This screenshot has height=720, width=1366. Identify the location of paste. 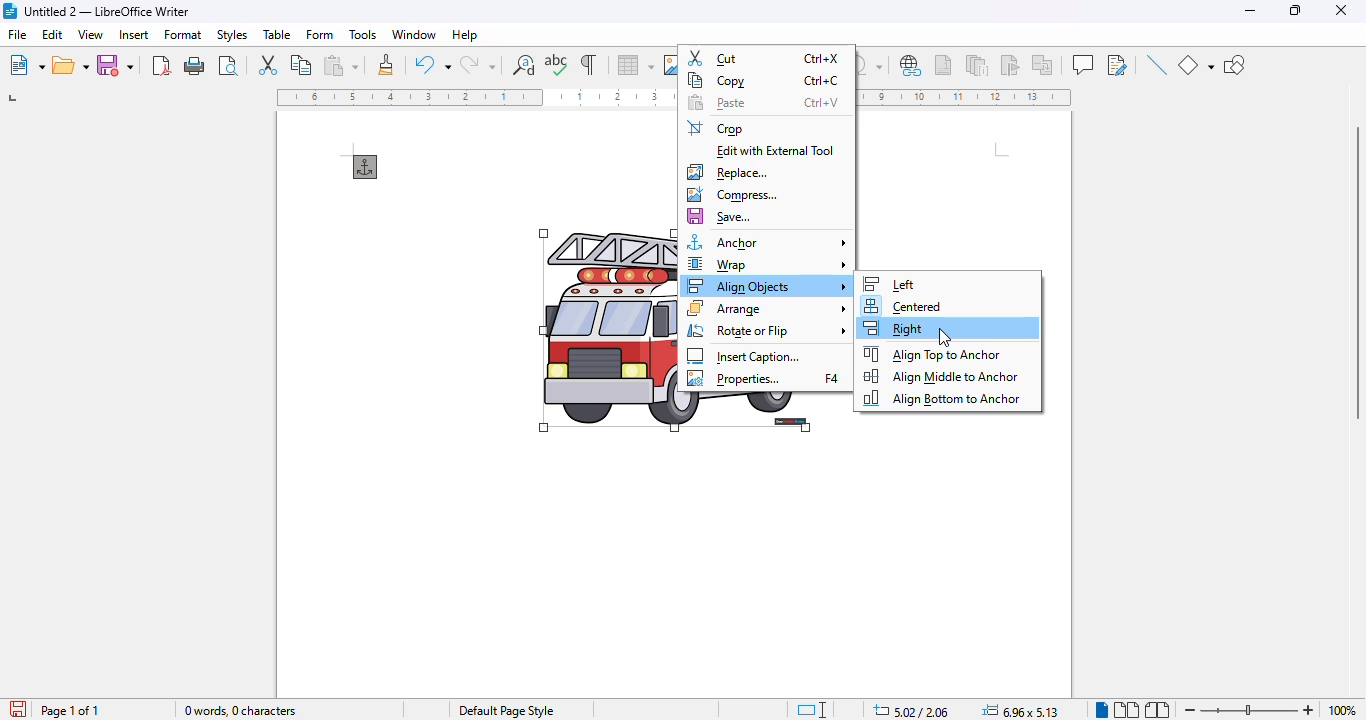
(763, 103).